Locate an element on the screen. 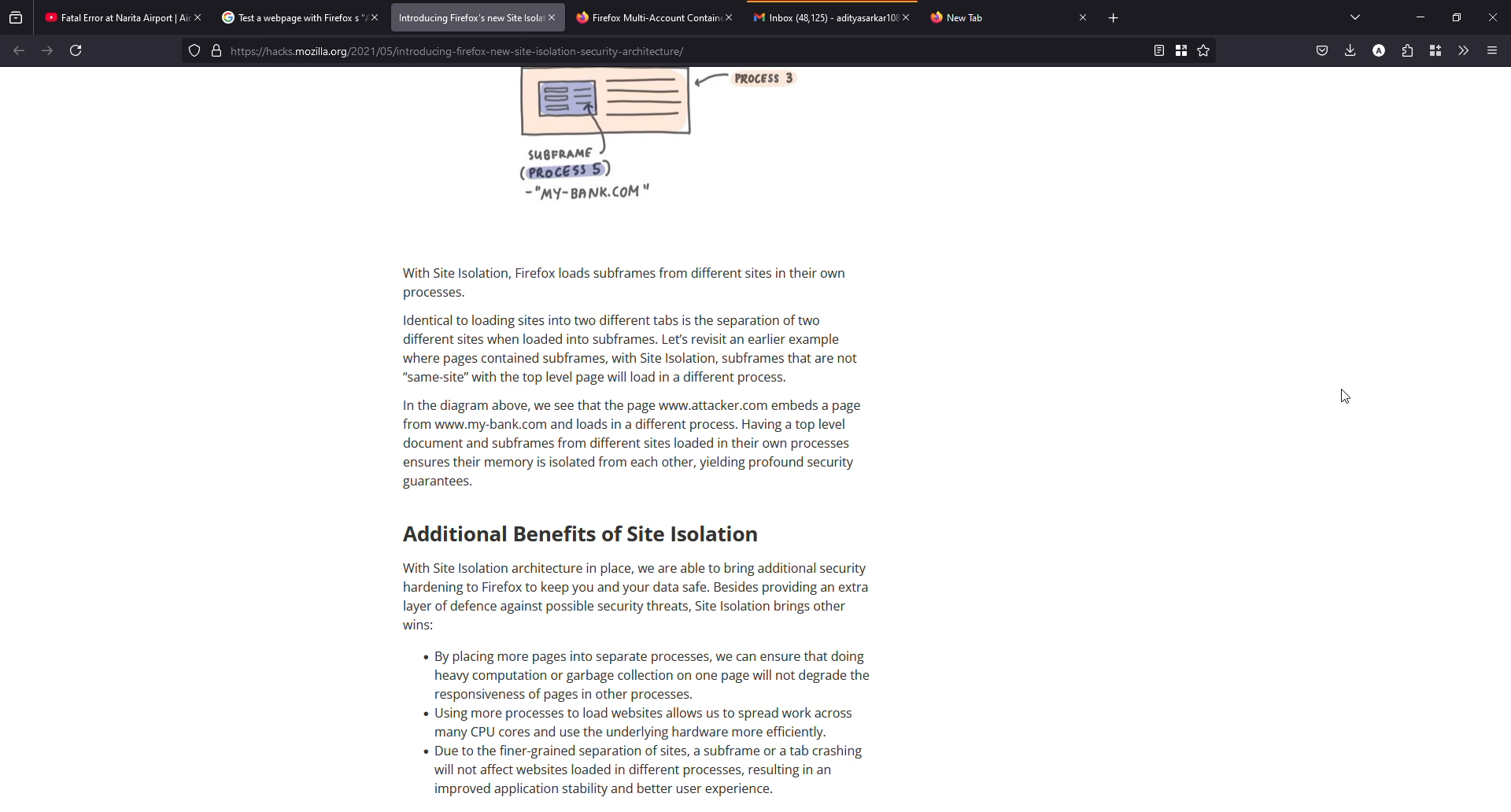 This screenshot has height=812, width=1511. Cursor is located at coordinates (1347, 397).